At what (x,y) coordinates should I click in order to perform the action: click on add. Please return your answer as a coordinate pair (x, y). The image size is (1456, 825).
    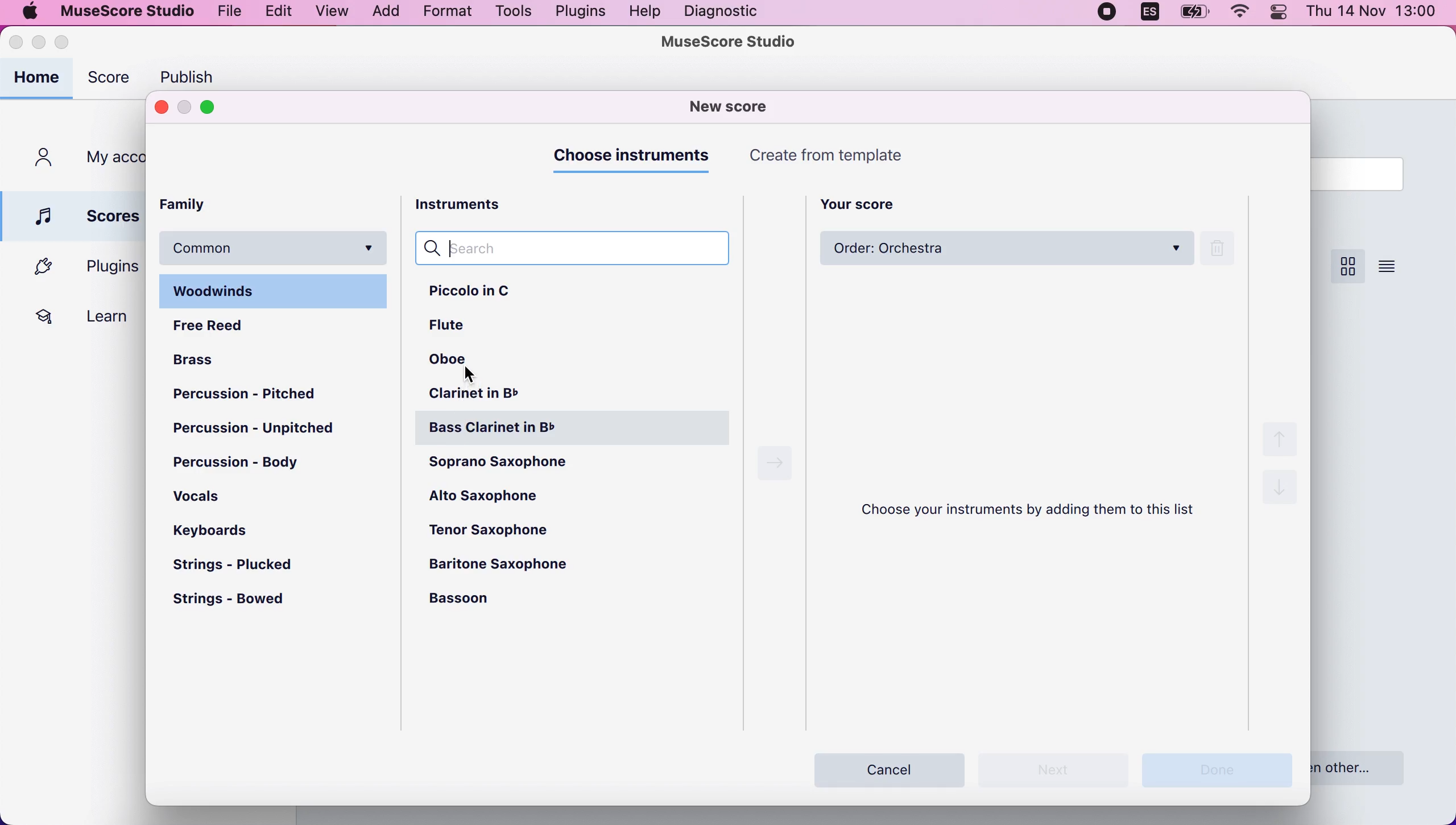
    Looking at the image, I should click on (384, 13).